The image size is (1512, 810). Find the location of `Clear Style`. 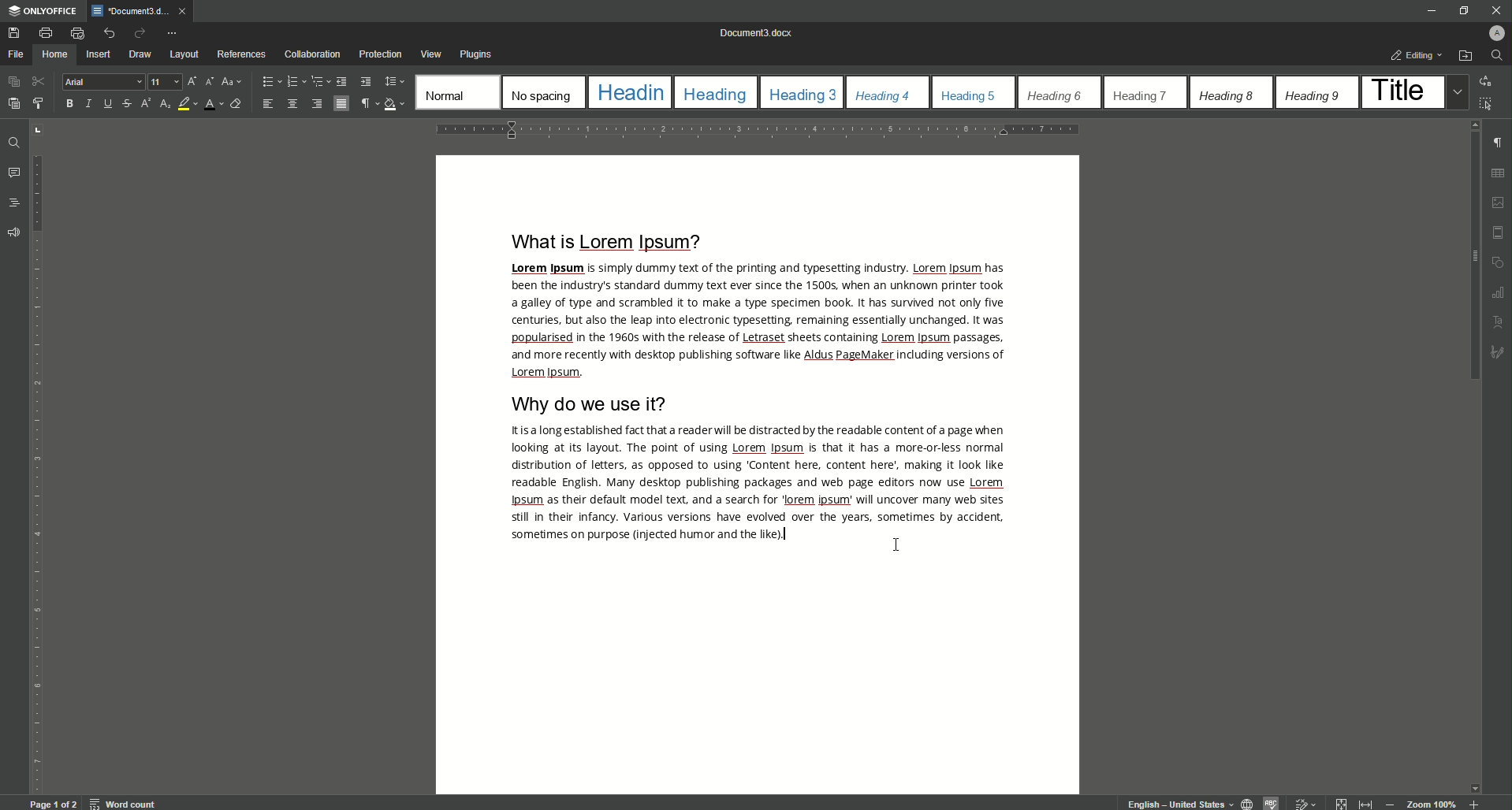

Clear Style is located at coordinates (235, 103).